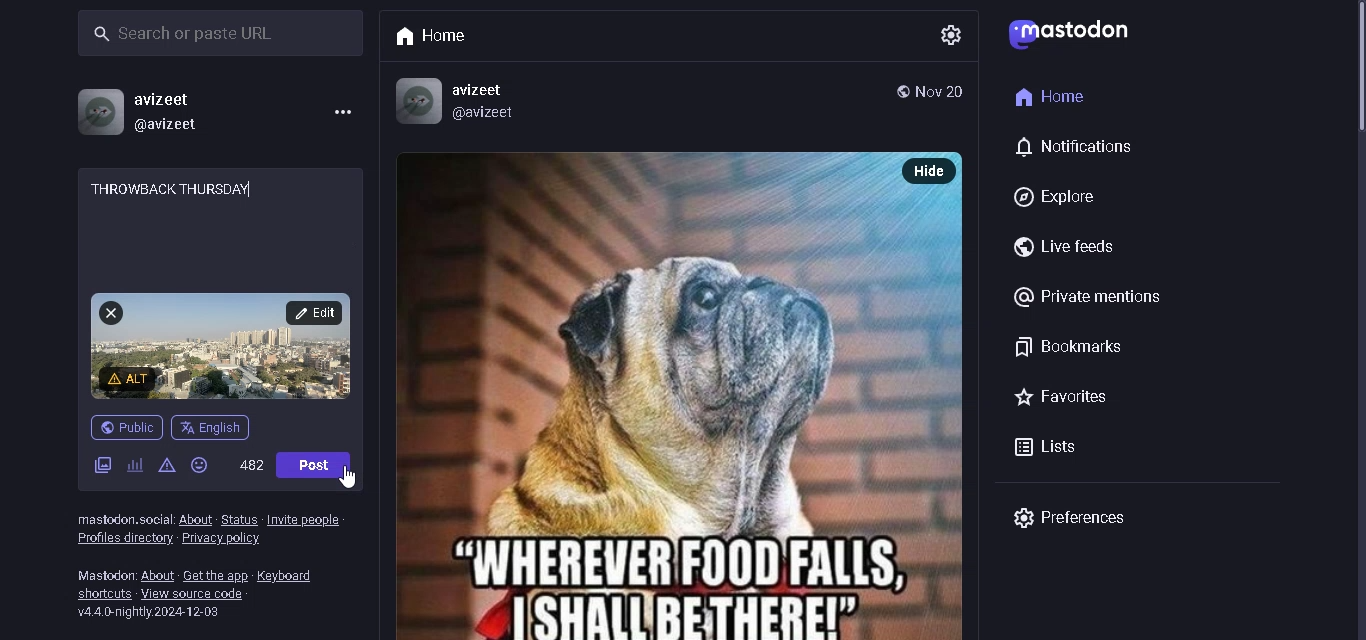 This screenshot has height=640, width=1366. I want to click on text, so click(125, 520).